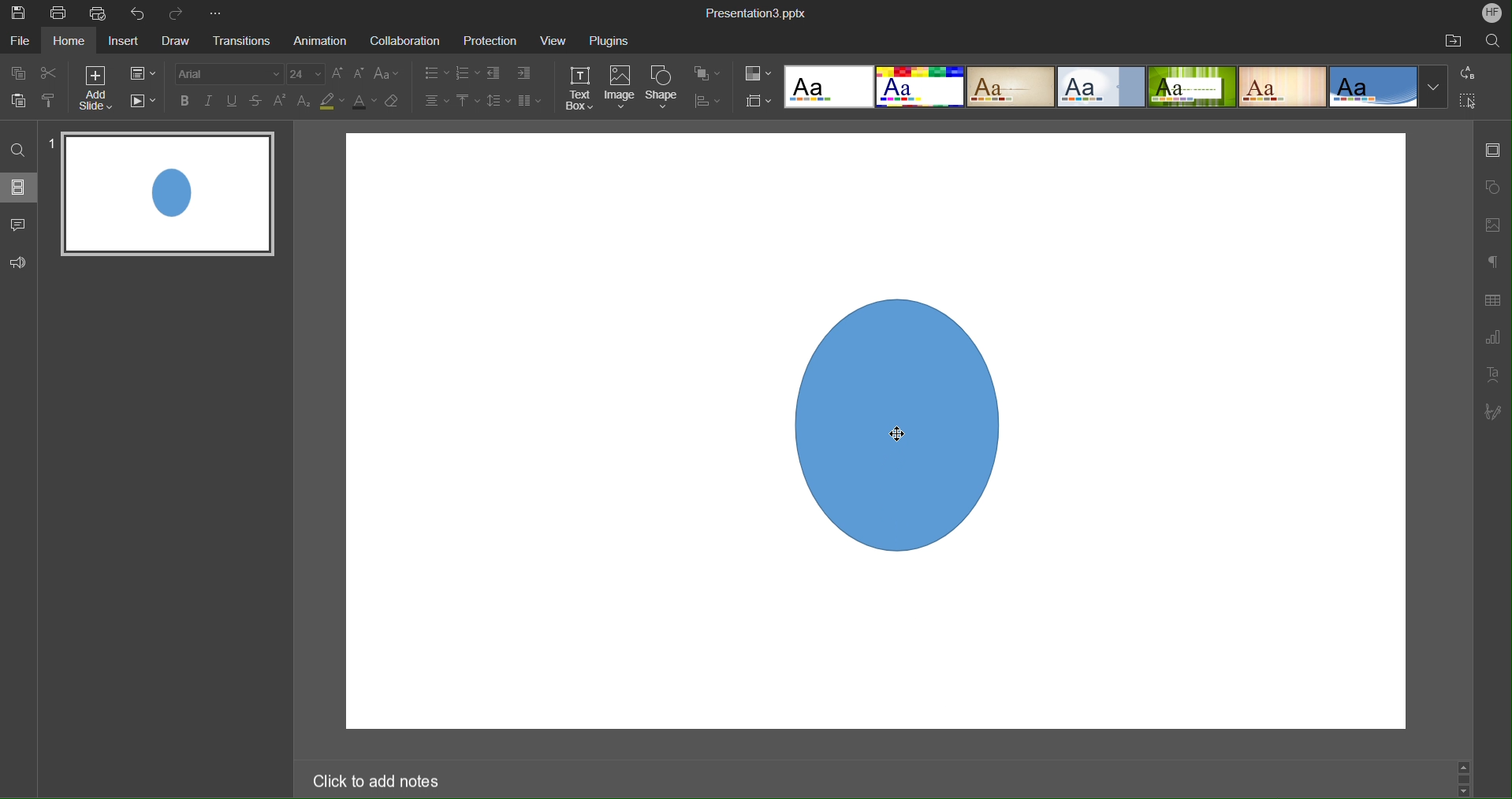  I want to click on Image, so click(623, 88).